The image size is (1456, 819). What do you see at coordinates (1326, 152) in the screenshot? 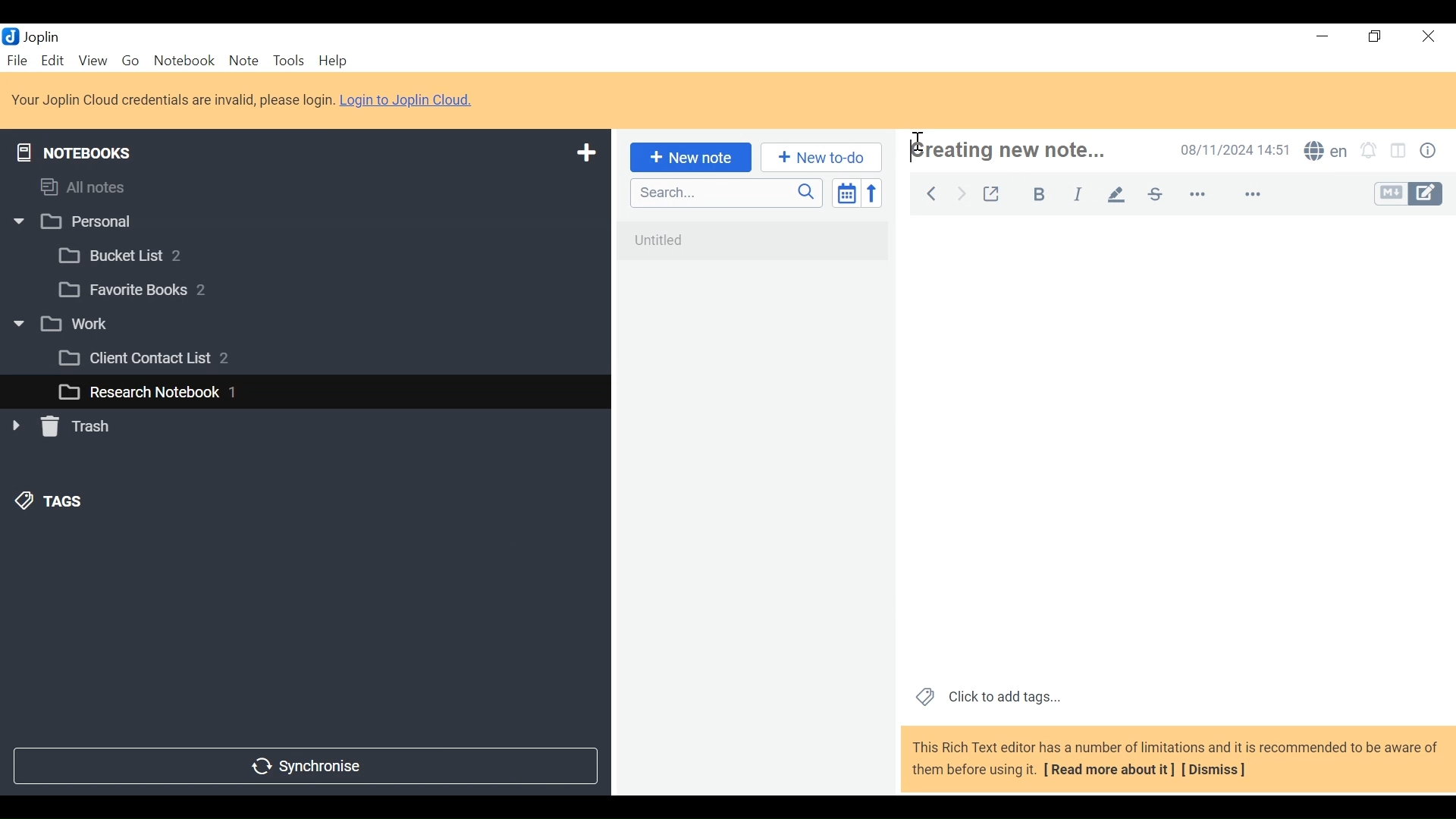
I see `Spell Checker` at bounding box center [1326, 152].